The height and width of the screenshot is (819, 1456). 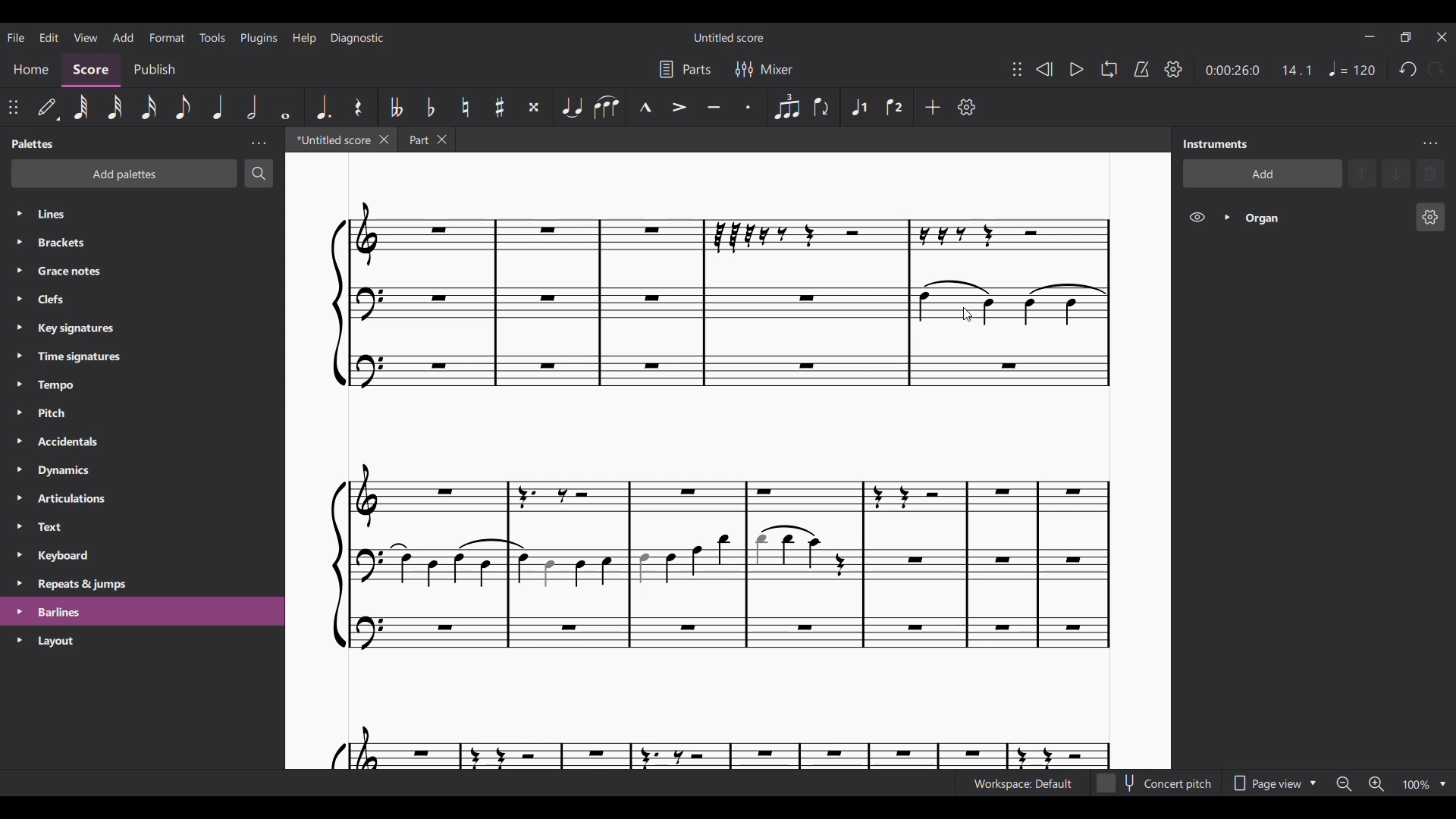 I want to click on Metronome, so click(x=1141, y=69).